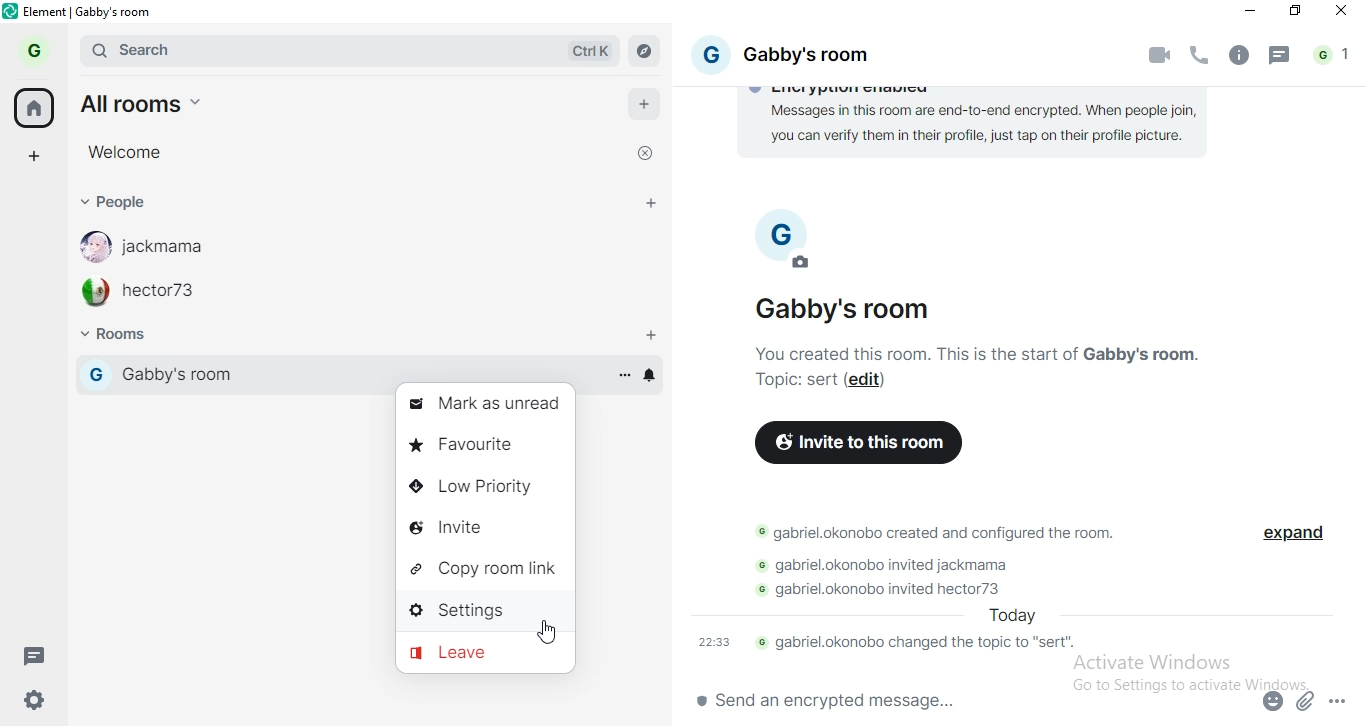 This screenshot has width=1366, height=726. I want to click on element, so click(90, 13).